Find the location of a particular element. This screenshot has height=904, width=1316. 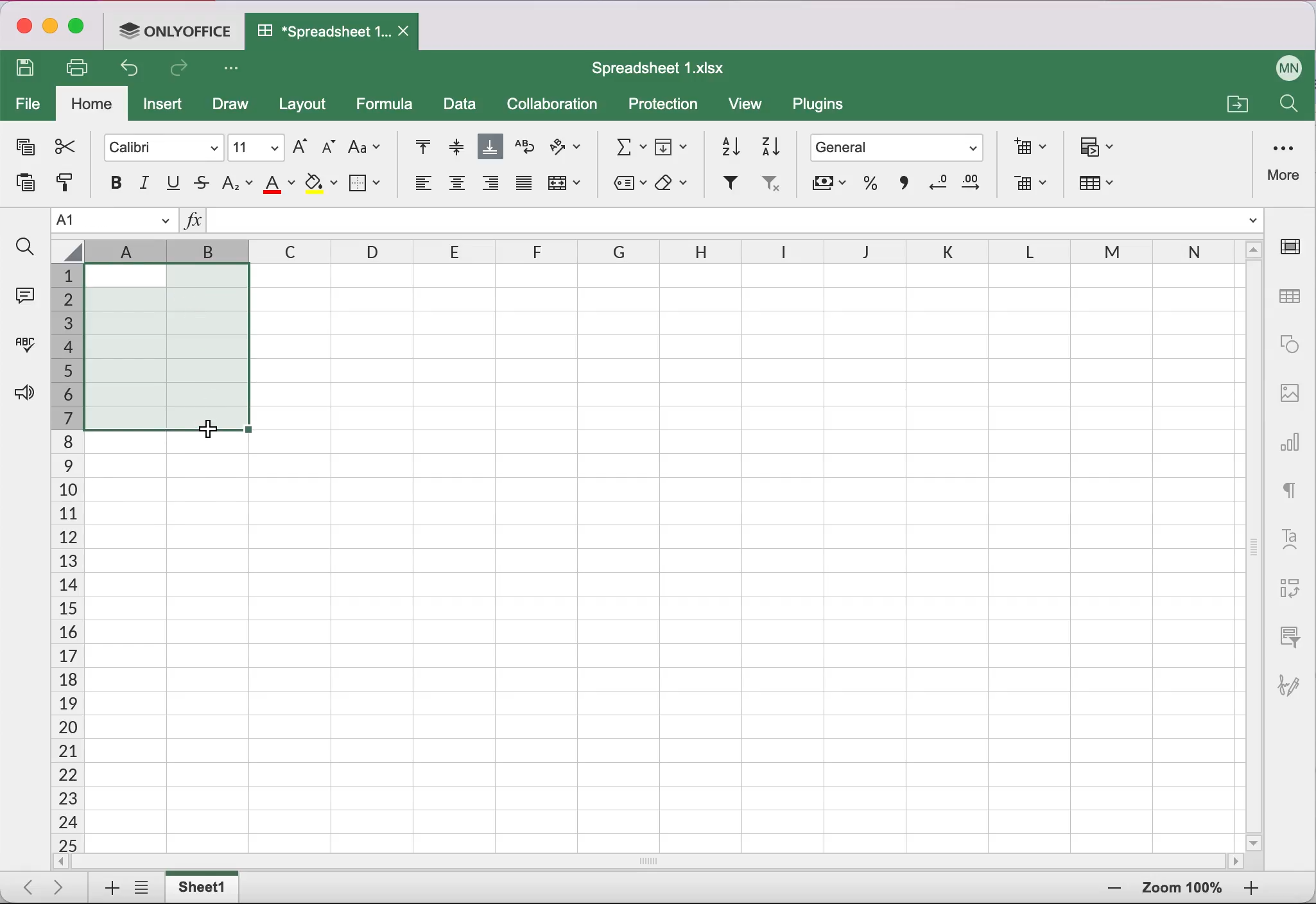

open file location is located at coordinates (1235, 102).